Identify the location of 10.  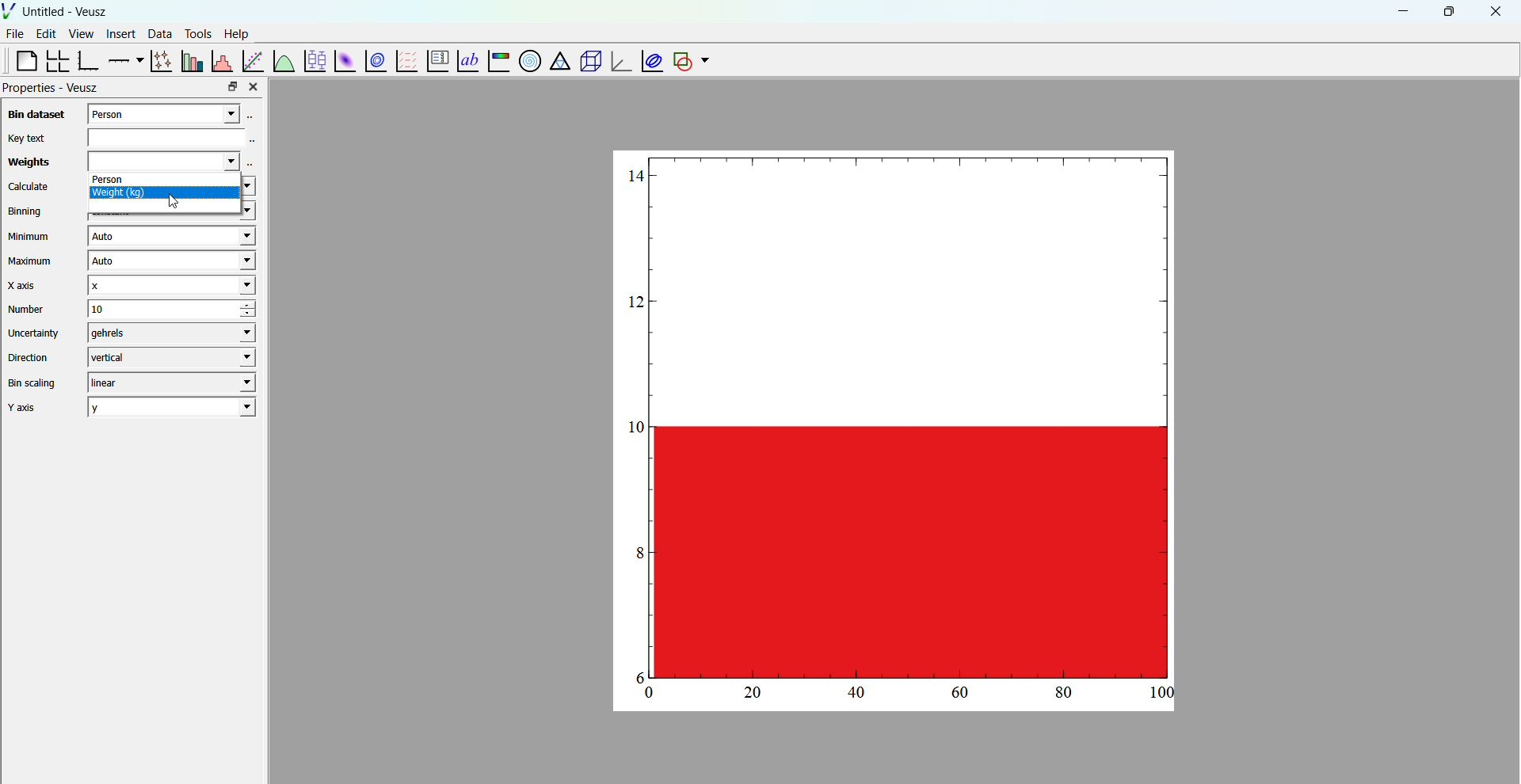
(150, 309).